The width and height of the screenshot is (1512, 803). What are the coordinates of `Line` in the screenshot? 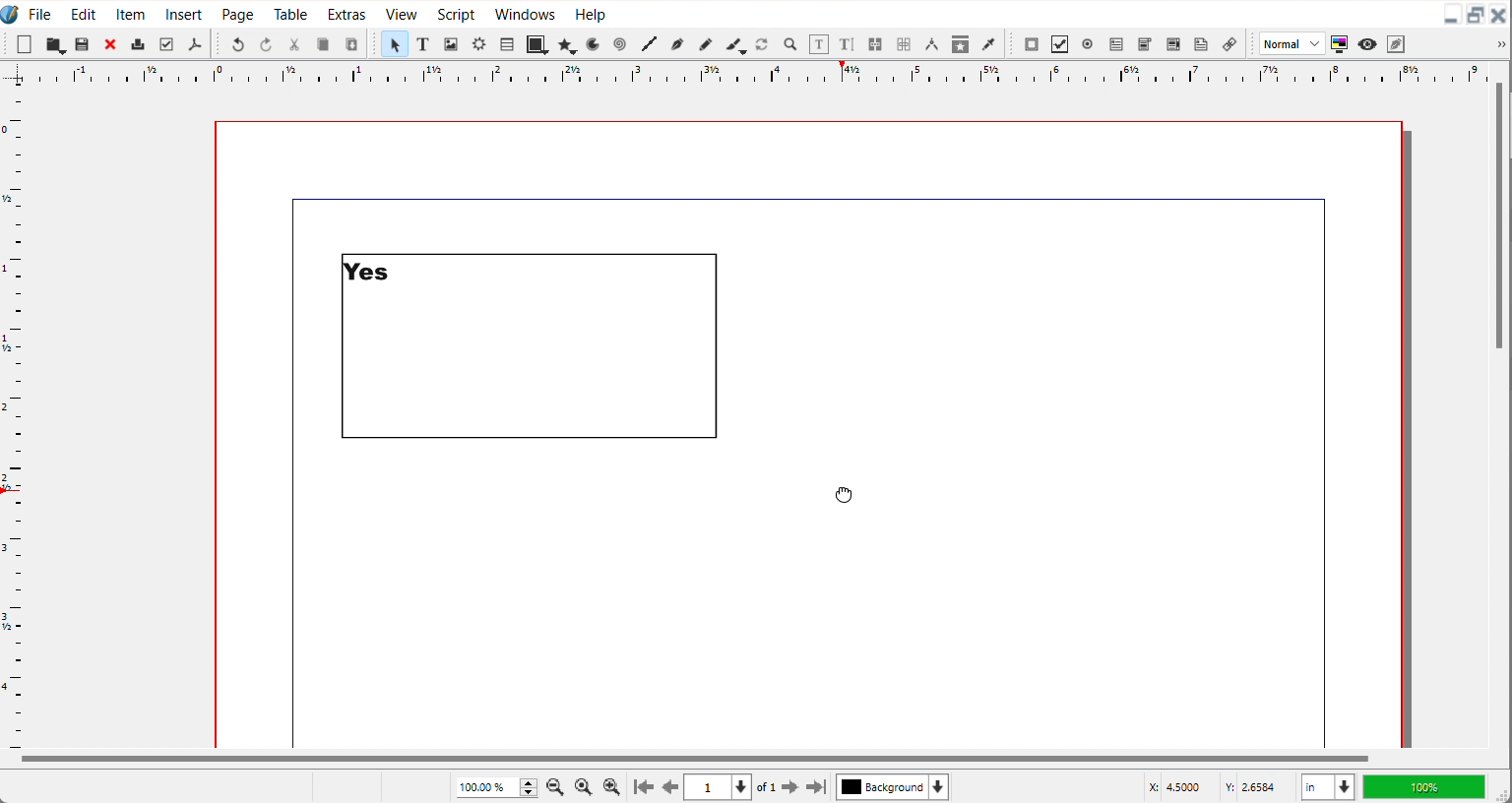 It's located at (649, 44).